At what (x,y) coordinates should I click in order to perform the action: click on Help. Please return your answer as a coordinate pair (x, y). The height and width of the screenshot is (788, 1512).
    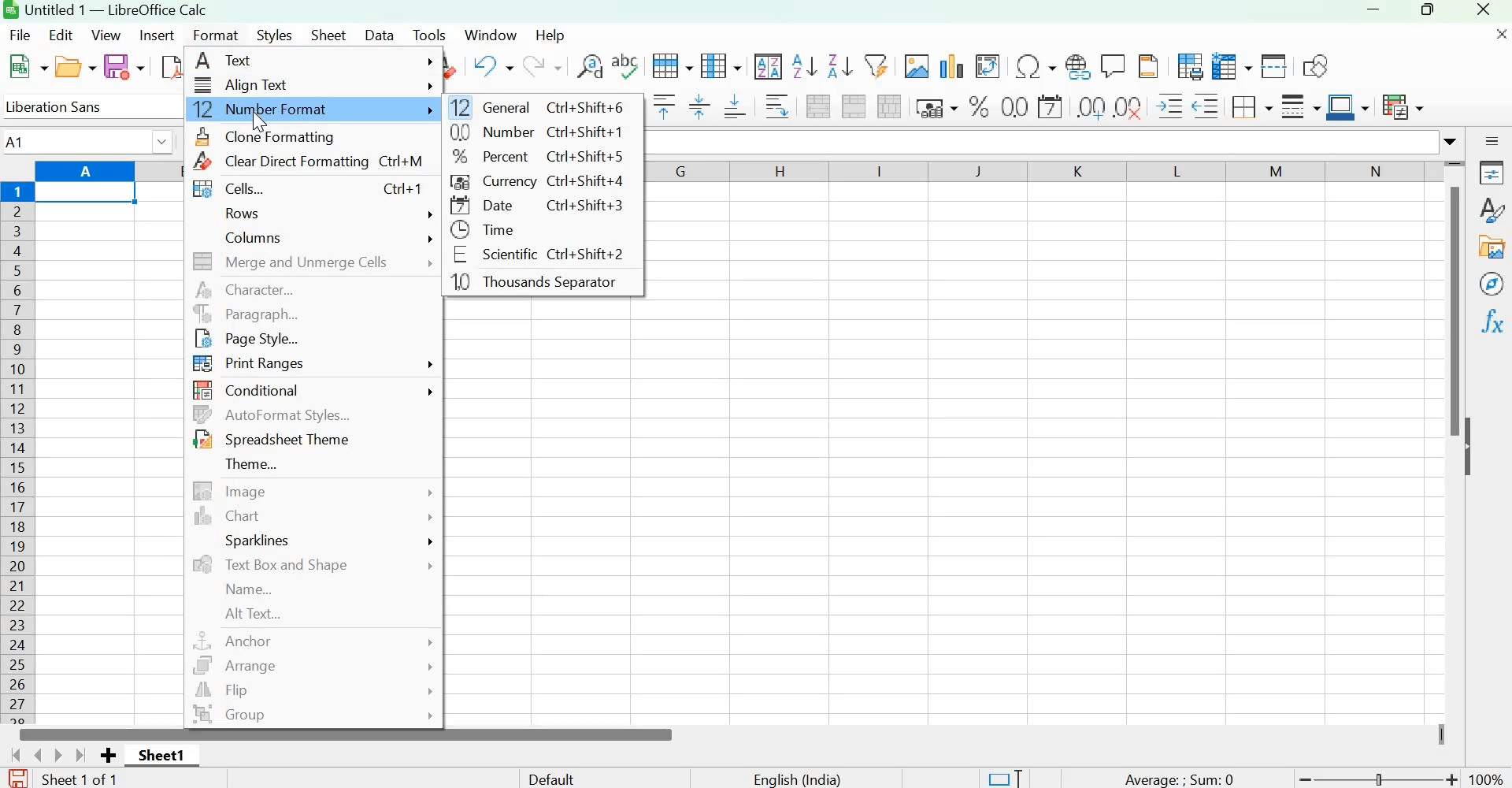
    Looking at the image, I should click on (551, 35).